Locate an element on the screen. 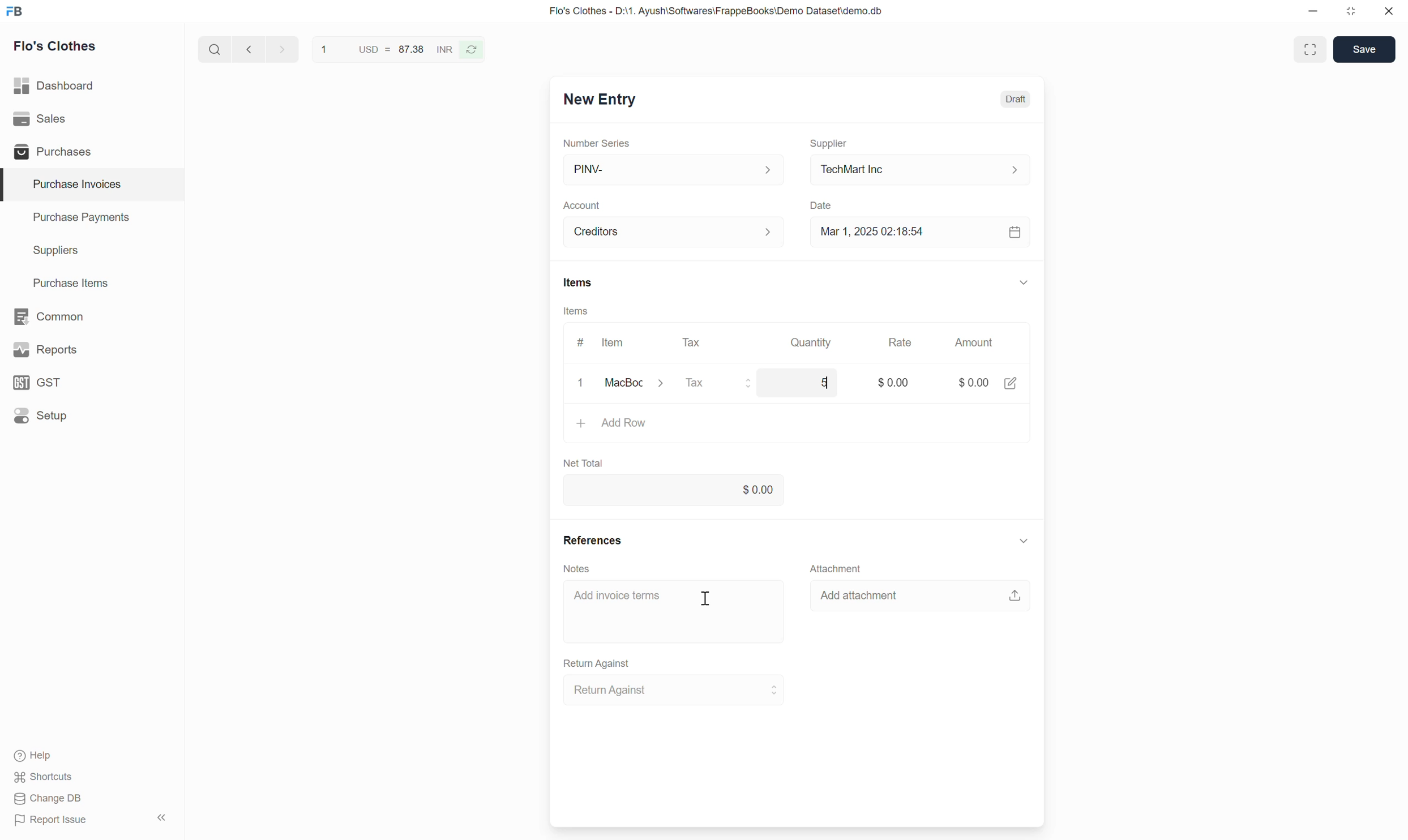  Previous is located at coordinates (249, 49).